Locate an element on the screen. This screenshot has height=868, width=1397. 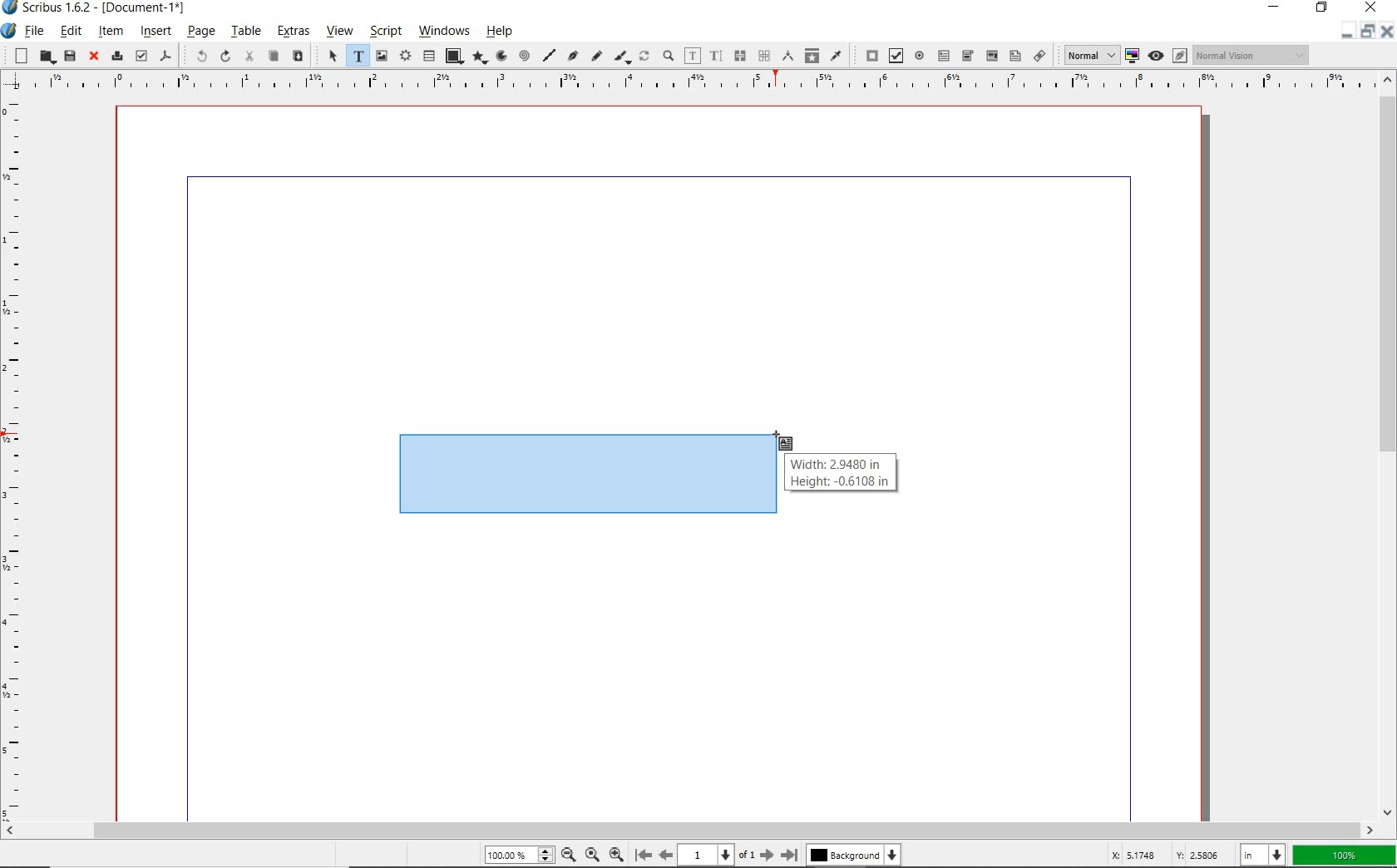
copy is located at coordinates (273, 57).